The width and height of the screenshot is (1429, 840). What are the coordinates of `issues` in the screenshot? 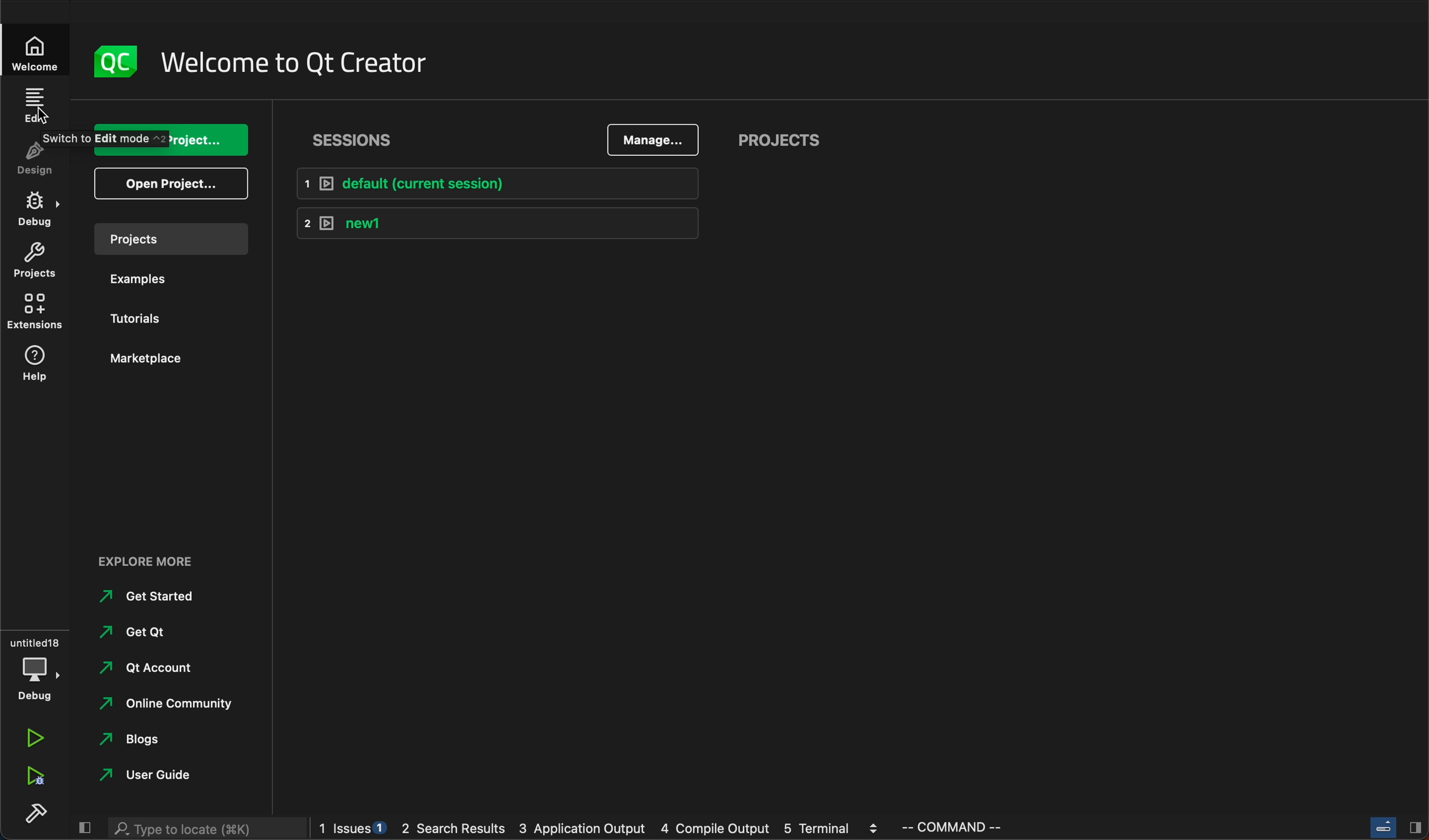 It's located at (356, 829).